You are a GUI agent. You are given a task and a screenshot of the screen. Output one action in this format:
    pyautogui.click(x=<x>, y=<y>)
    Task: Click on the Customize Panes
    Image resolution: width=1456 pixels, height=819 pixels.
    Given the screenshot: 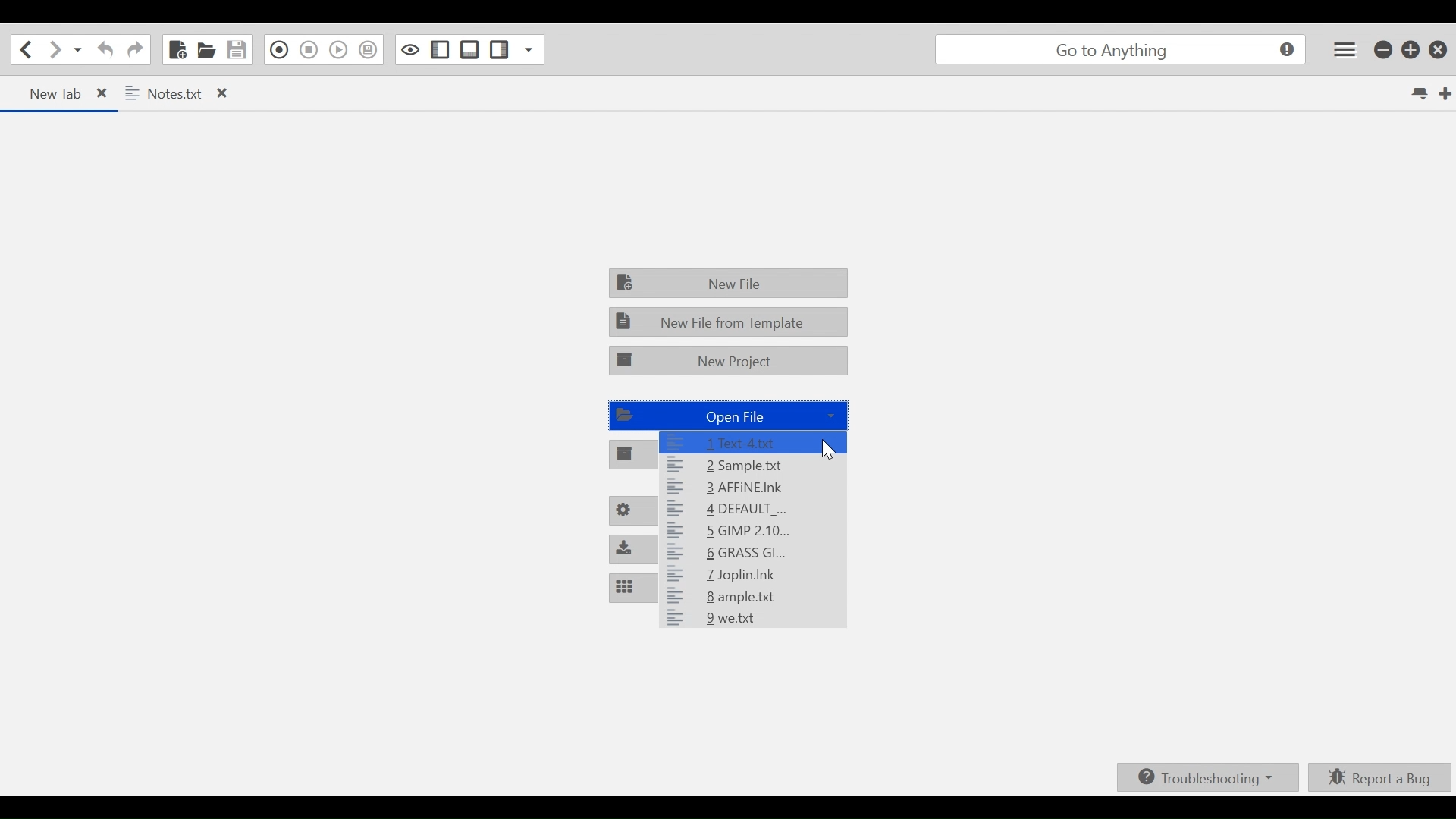 What is the action you would take?
    pyautogui.click(x=633, y=586)
    